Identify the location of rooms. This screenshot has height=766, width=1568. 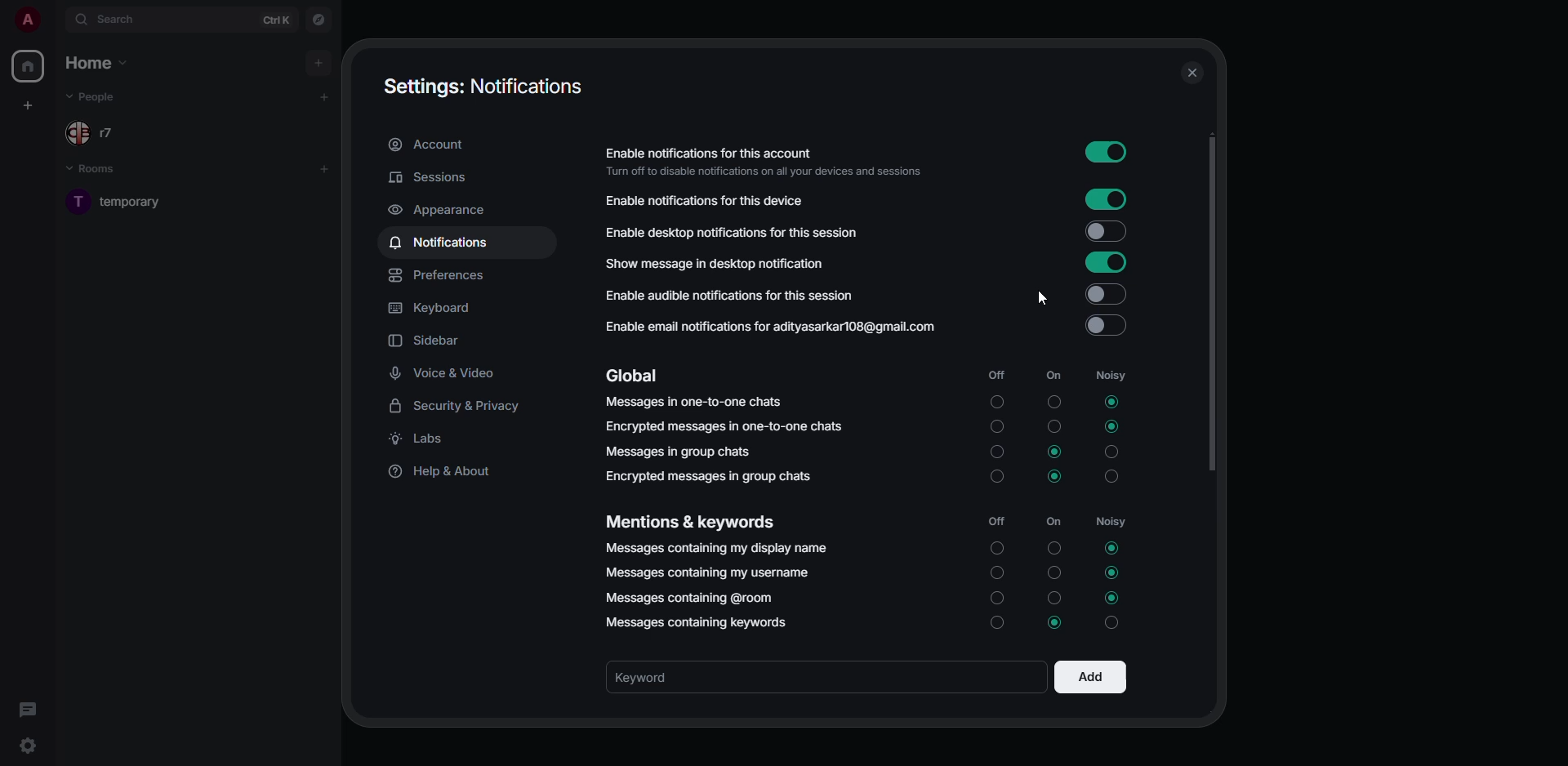
(103, 171).